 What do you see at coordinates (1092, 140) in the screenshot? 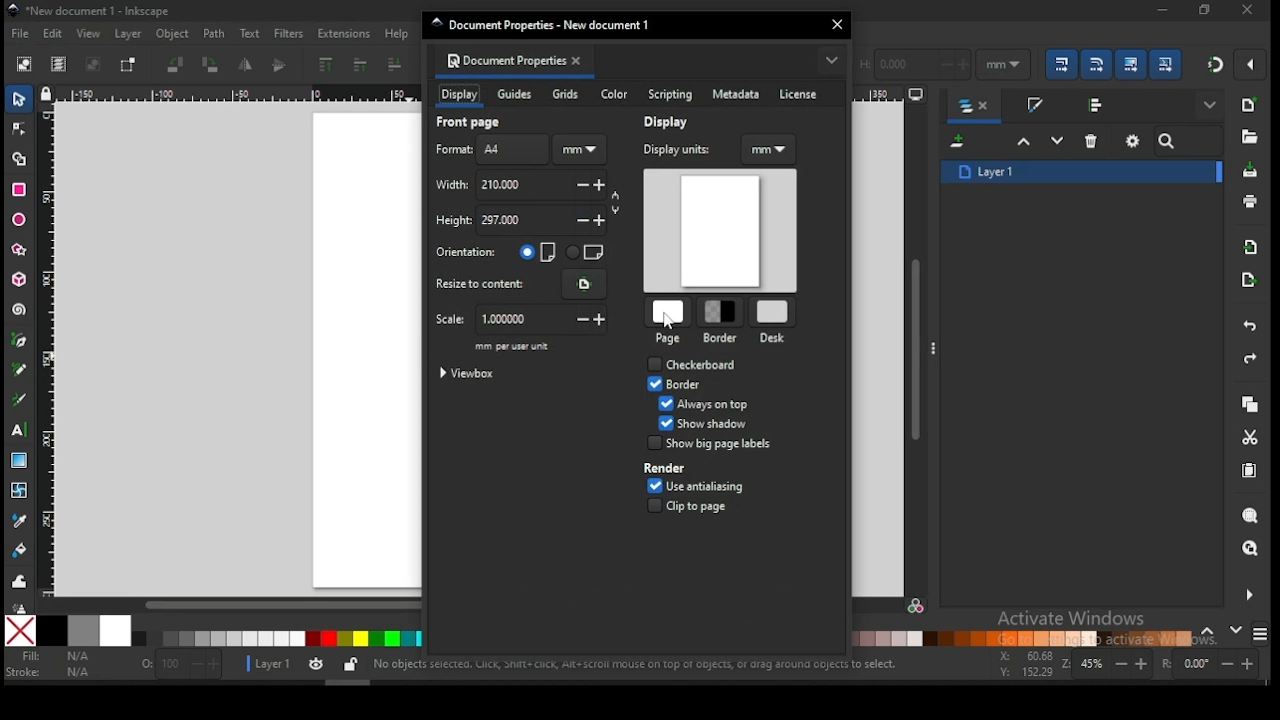
I see `delete layer` at bounding box center [1092, 140].